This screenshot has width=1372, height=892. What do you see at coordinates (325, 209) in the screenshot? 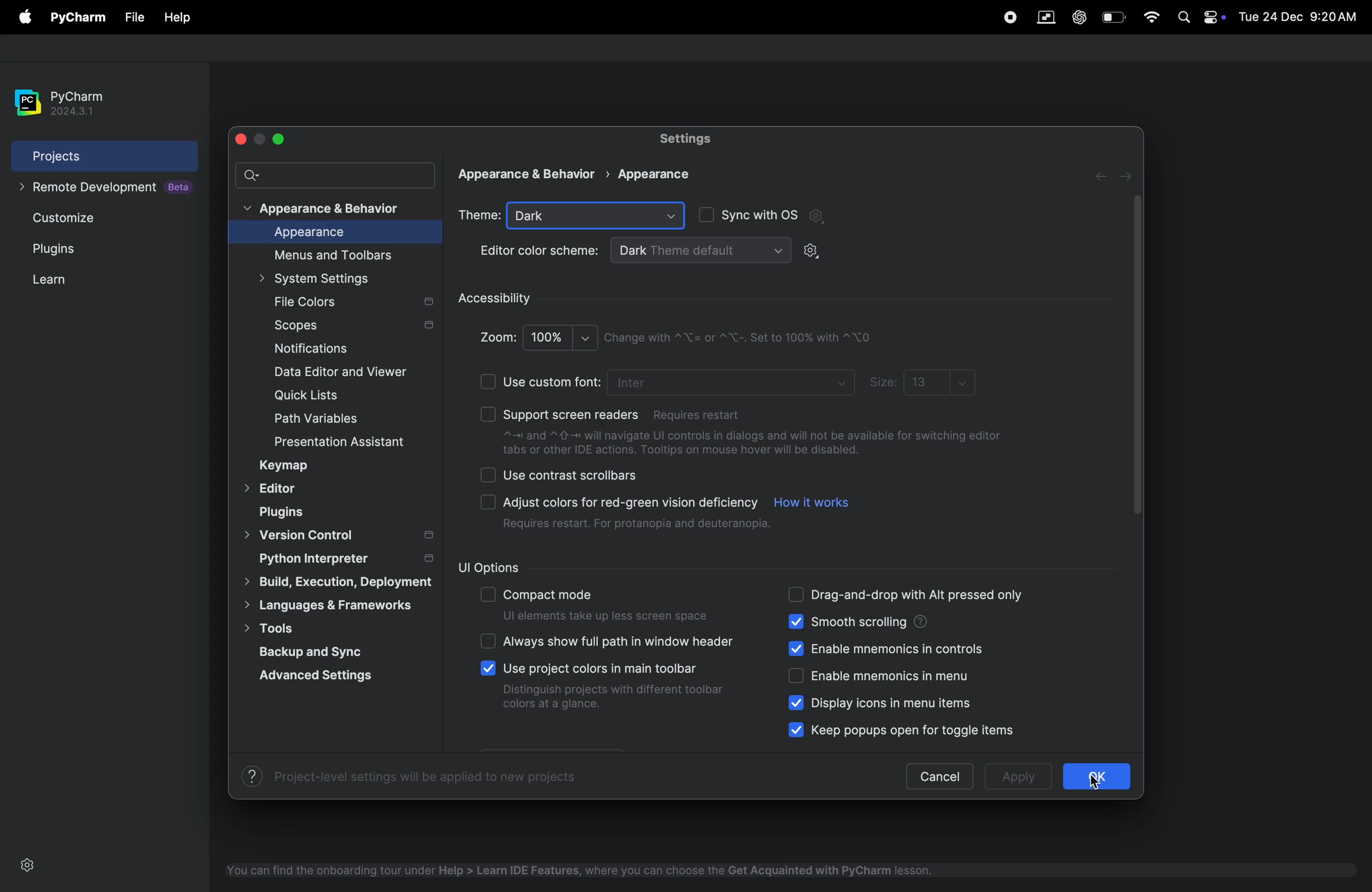
I see `apperance behaviour` at bounding box center [325, 209].